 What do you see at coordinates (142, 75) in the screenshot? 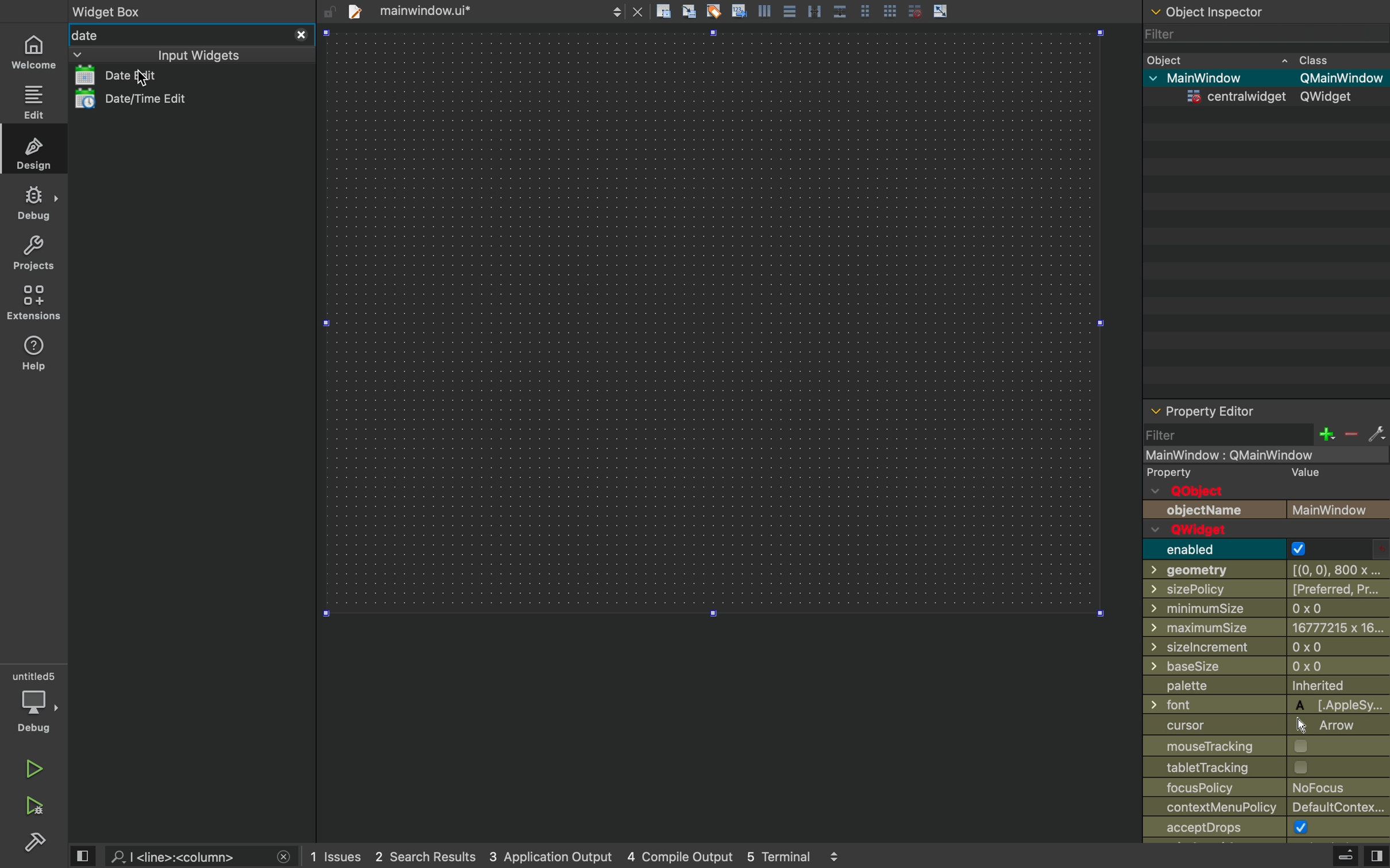
I see `date list` at bounding box center [142, 75].